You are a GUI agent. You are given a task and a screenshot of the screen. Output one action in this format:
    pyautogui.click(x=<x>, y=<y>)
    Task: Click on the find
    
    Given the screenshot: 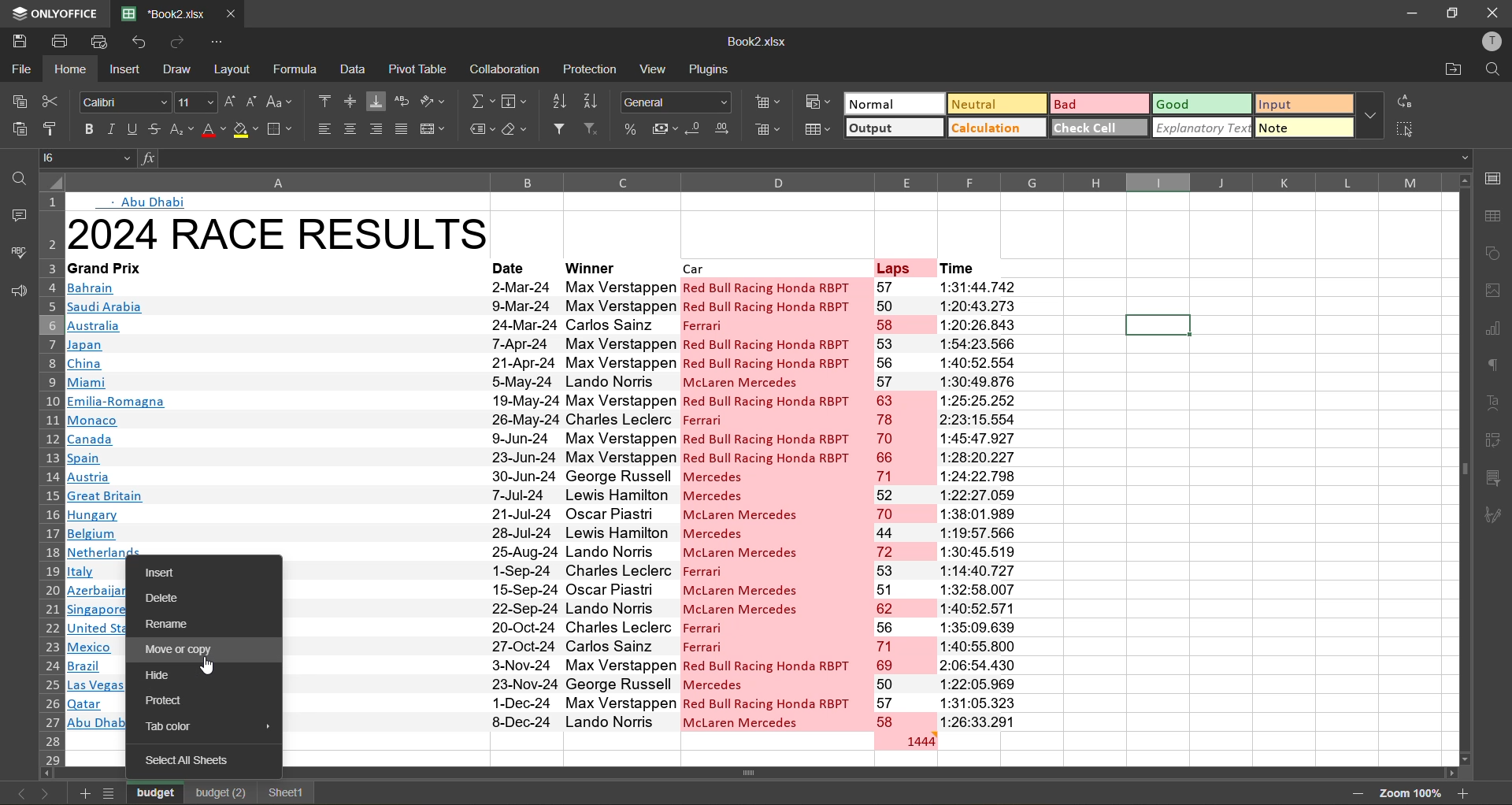 What is the action you would take?
    pyautogui.click(x=16, y=179)
    